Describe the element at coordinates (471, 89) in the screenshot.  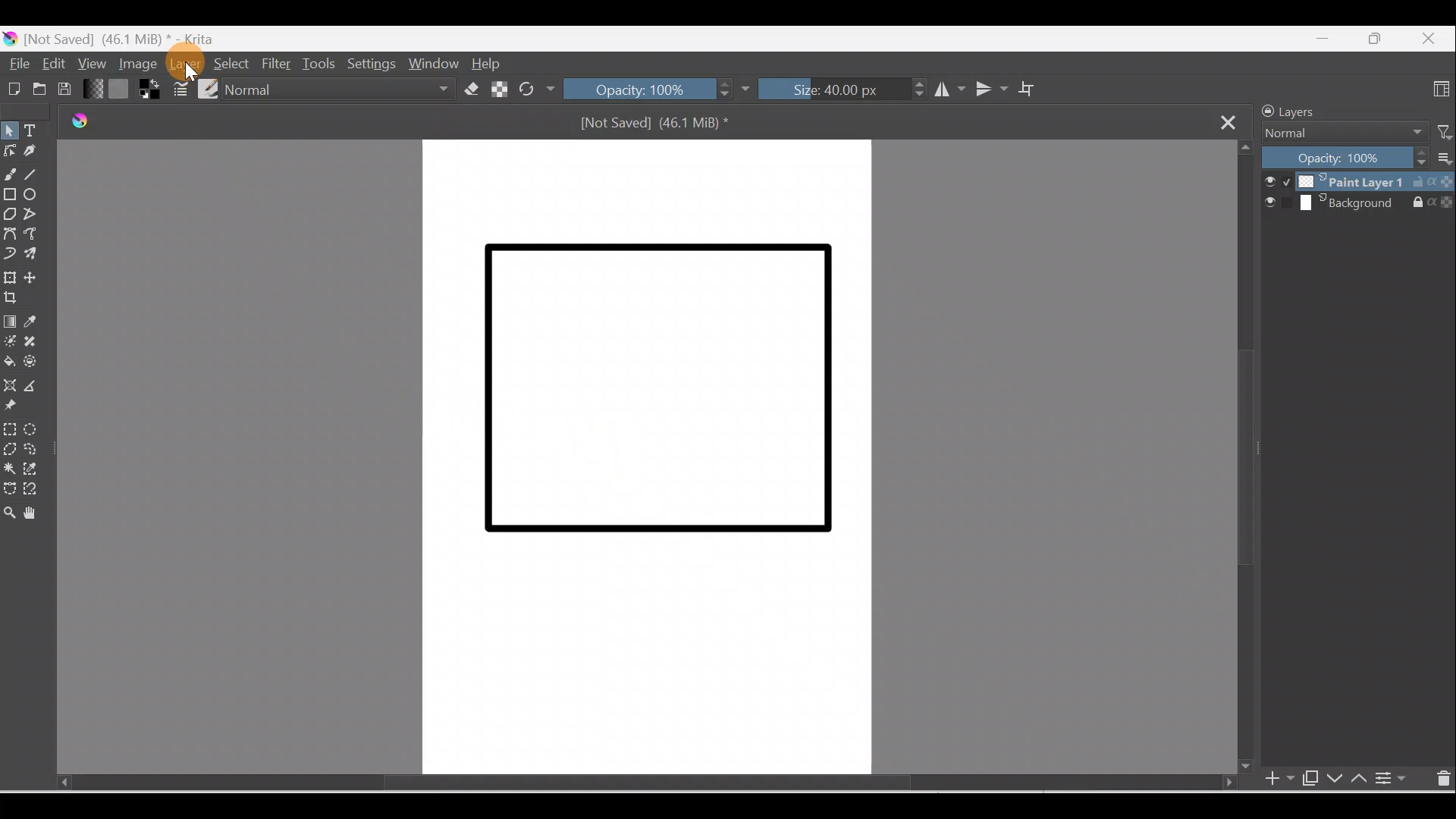
I see `Set eraser mode` at that location.